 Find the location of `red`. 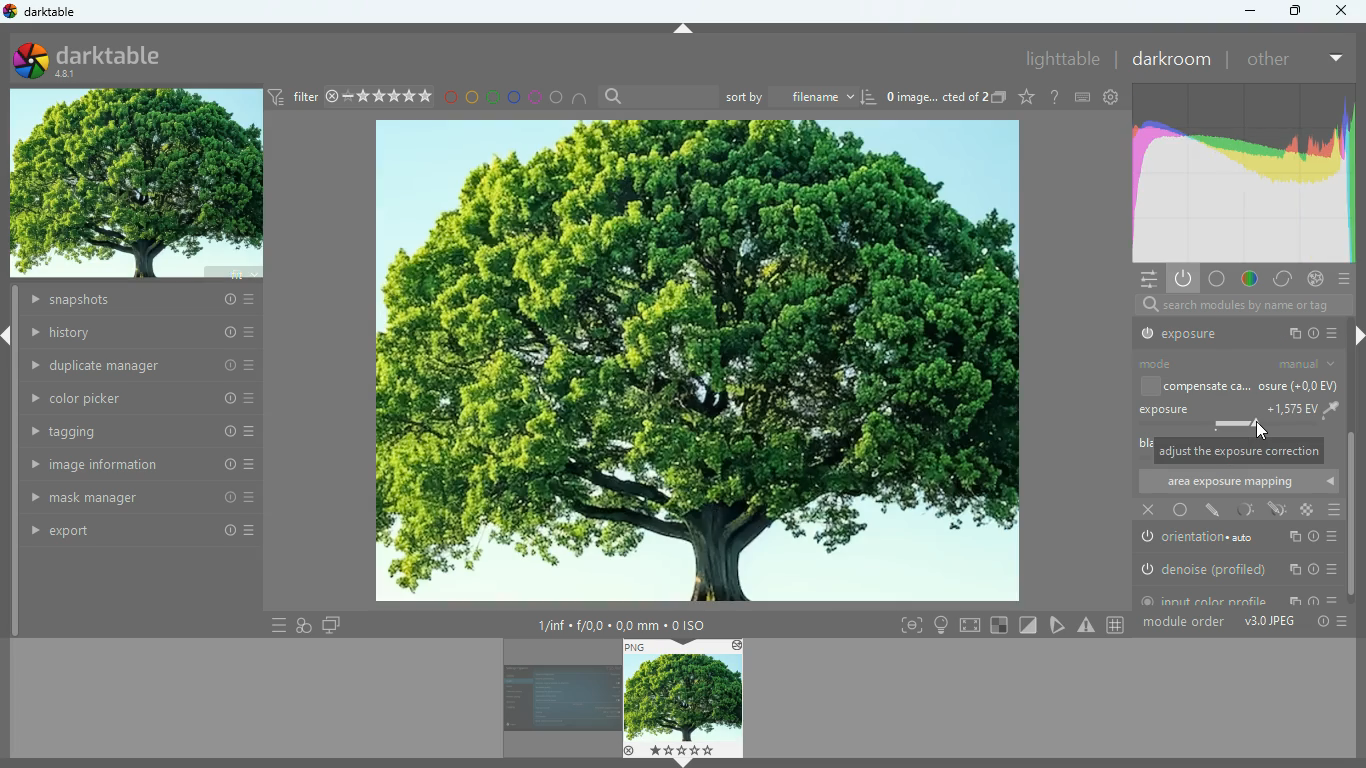

red is located at coordinates (450, 100).